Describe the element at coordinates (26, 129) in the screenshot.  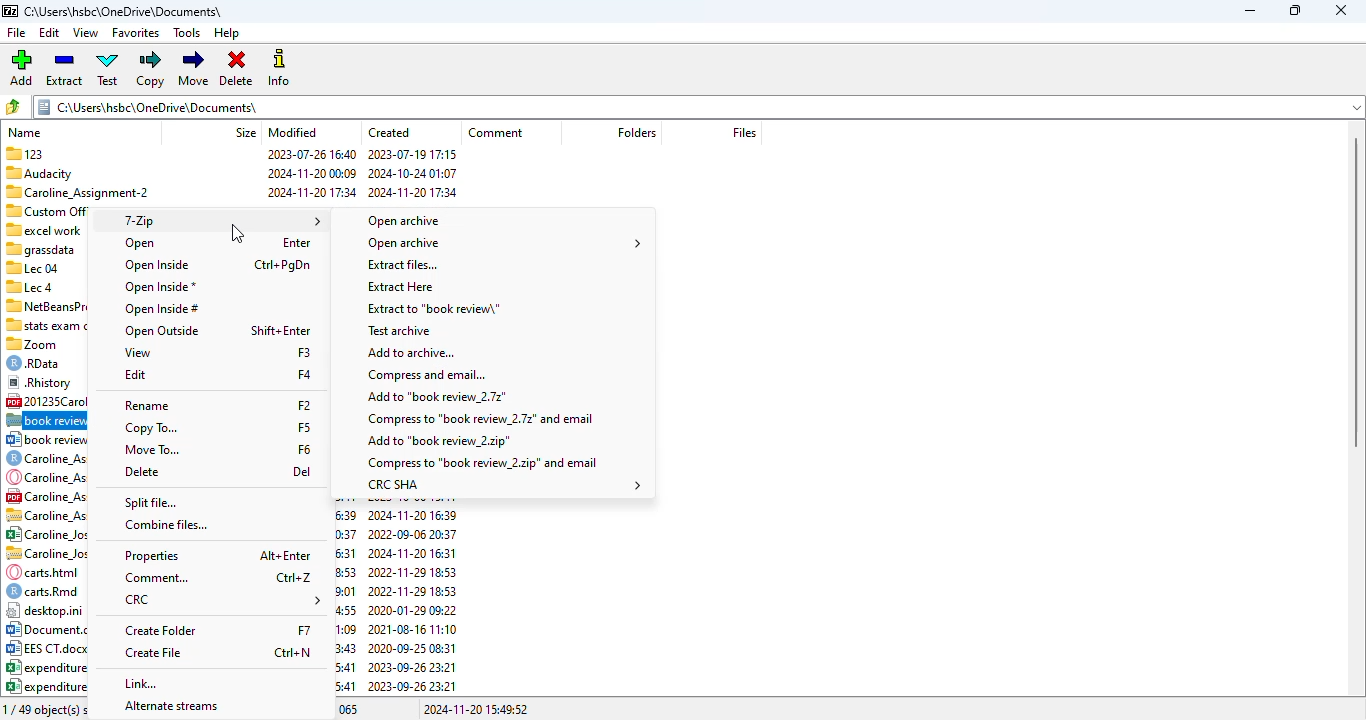
I see `name` at that location.